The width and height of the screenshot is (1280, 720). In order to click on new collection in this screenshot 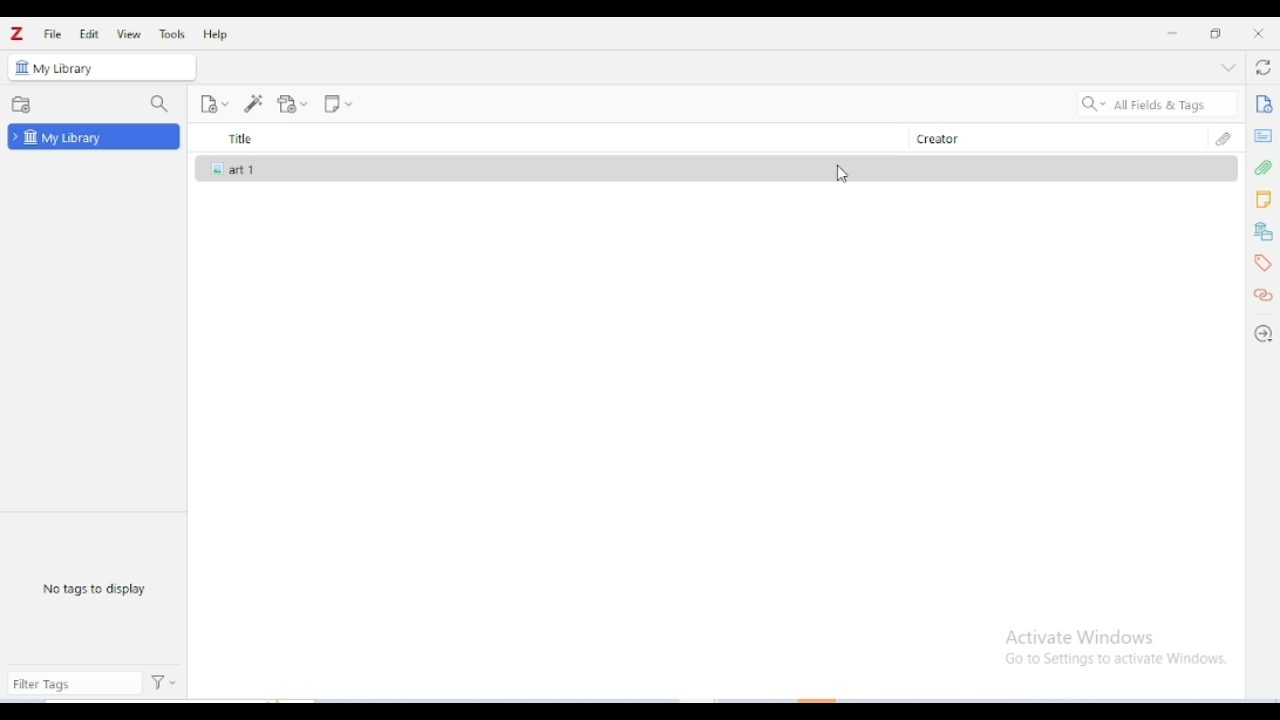, I will do `click(21, 104)`.